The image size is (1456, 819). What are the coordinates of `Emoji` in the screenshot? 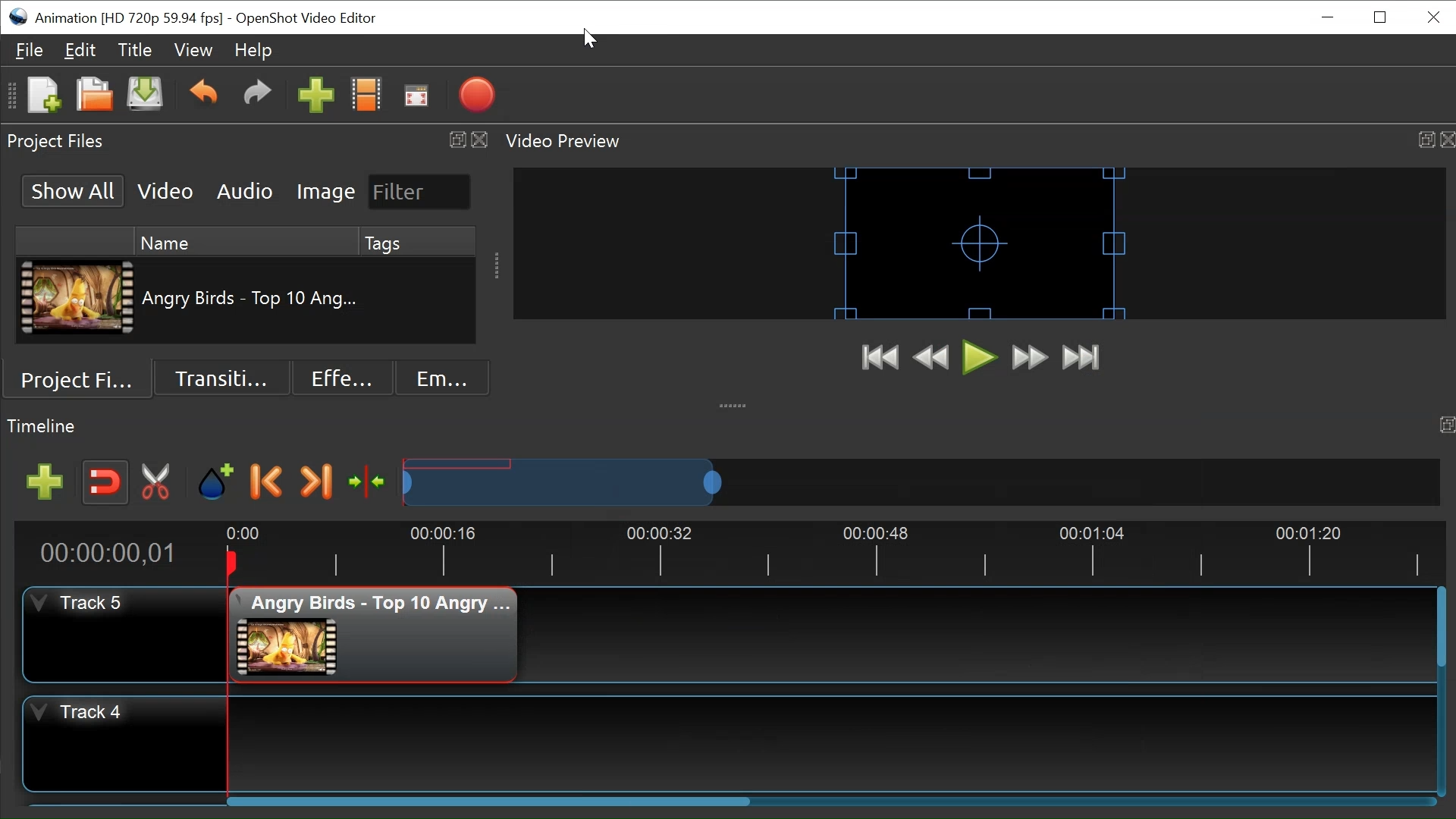 It's located at (441, 378).